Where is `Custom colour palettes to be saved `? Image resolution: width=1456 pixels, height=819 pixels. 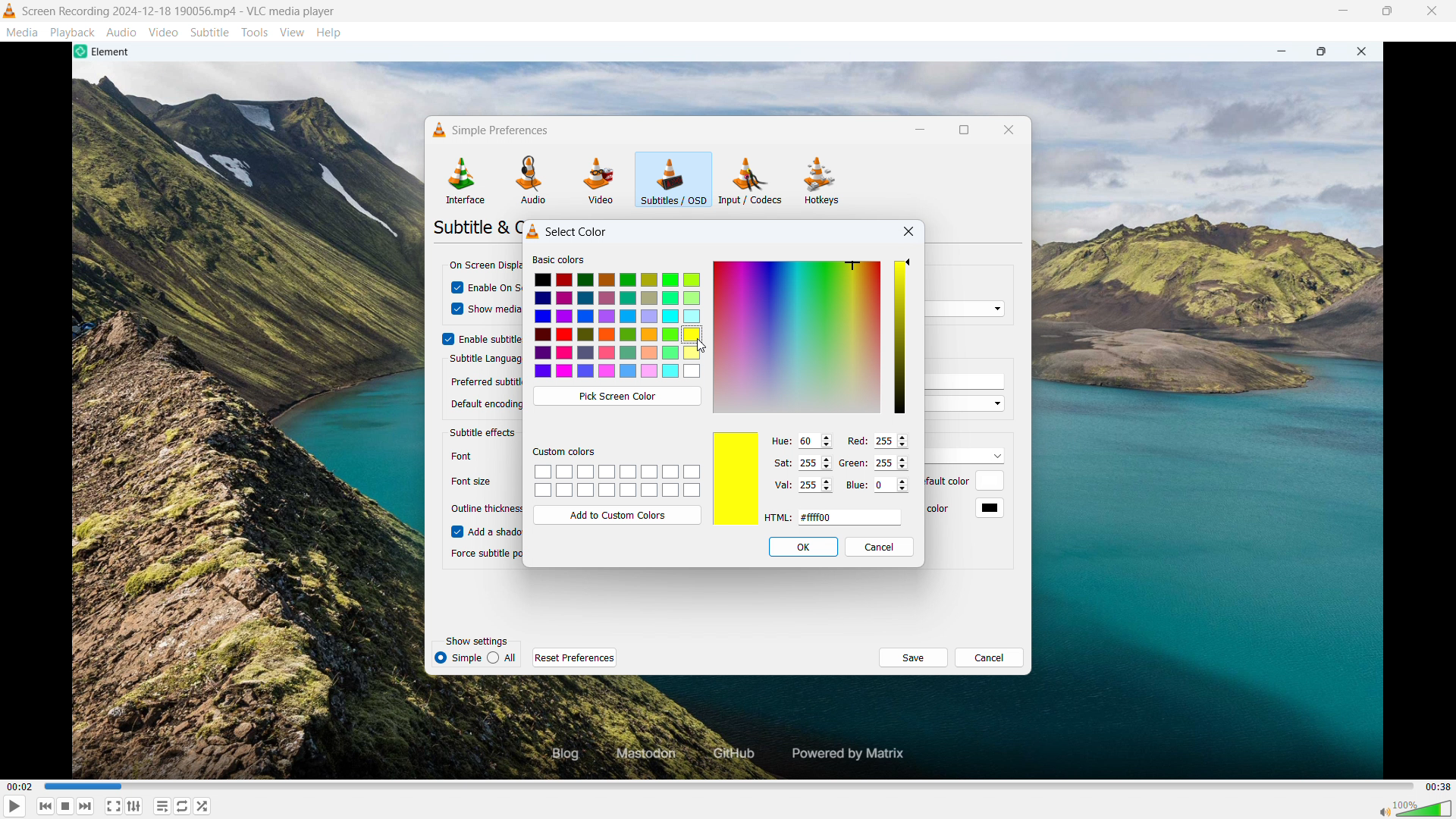
Custom colour palettes to be saved  is located at coordinates (617, 481).